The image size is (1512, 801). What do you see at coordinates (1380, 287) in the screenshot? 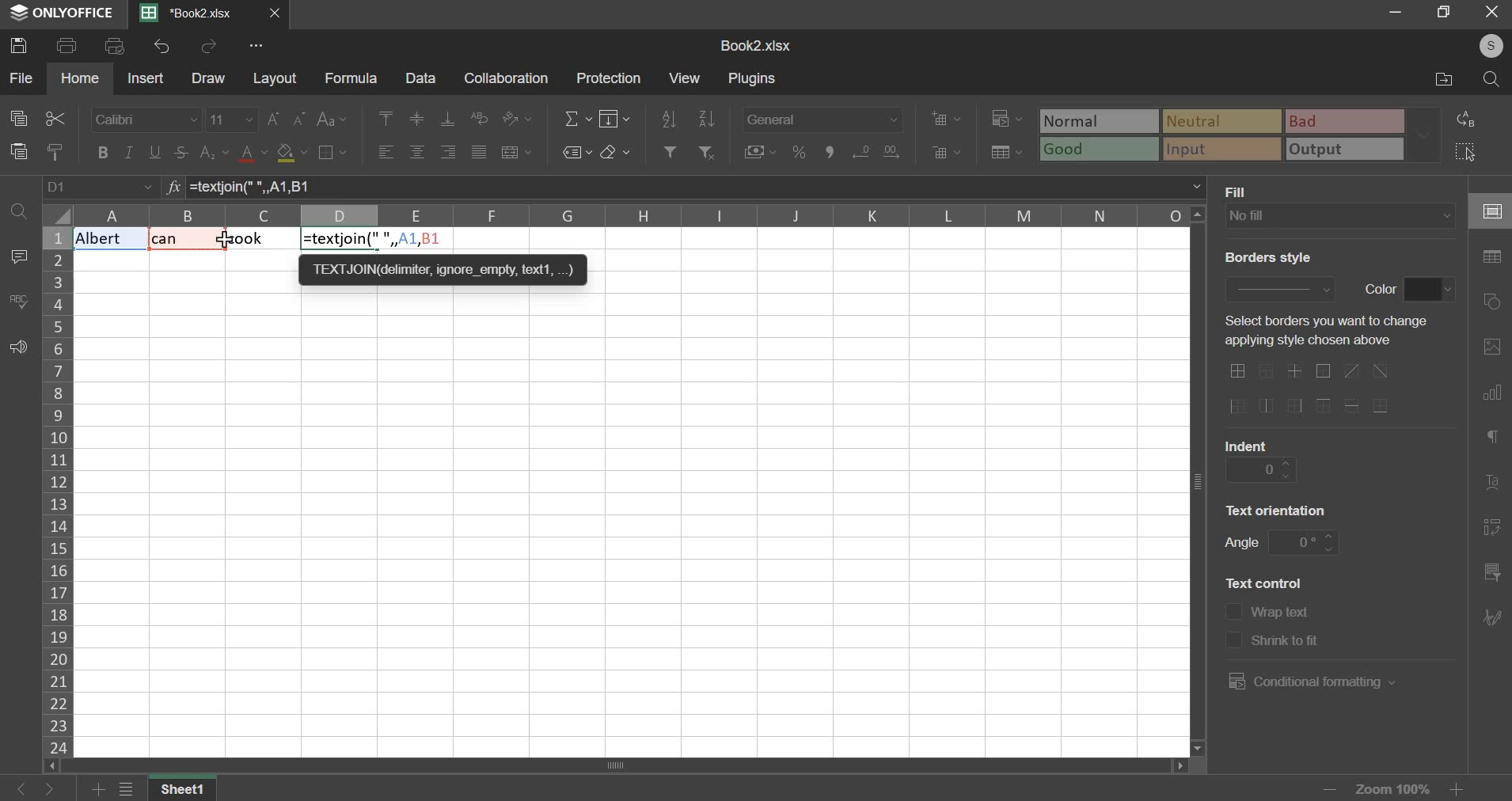
I see `text` at bounding box center [1380, 287].